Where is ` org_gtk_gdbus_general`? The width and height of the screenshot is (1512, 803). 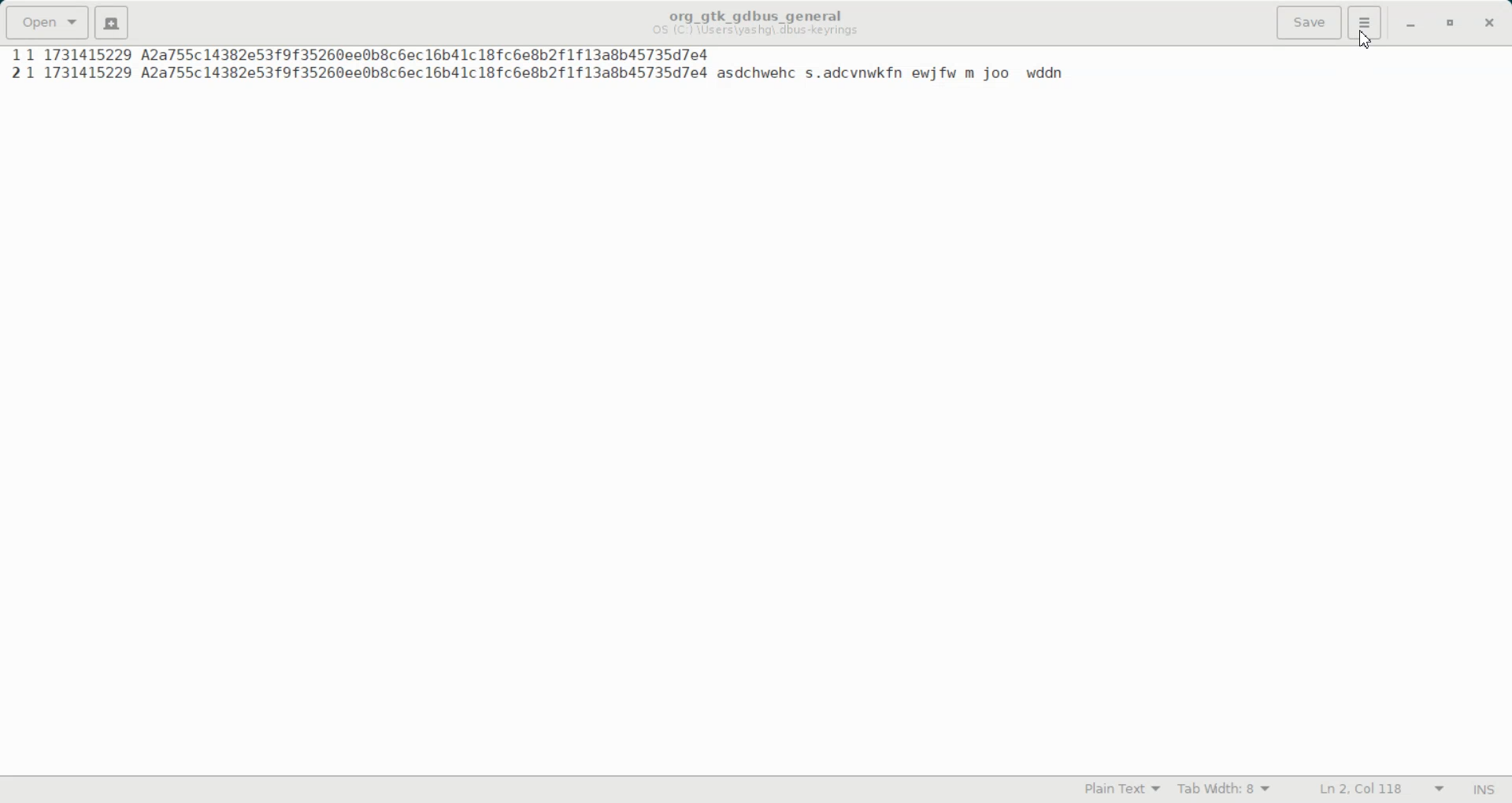
 org_gtk_gdbus_general is located at coordinates (755, 12).